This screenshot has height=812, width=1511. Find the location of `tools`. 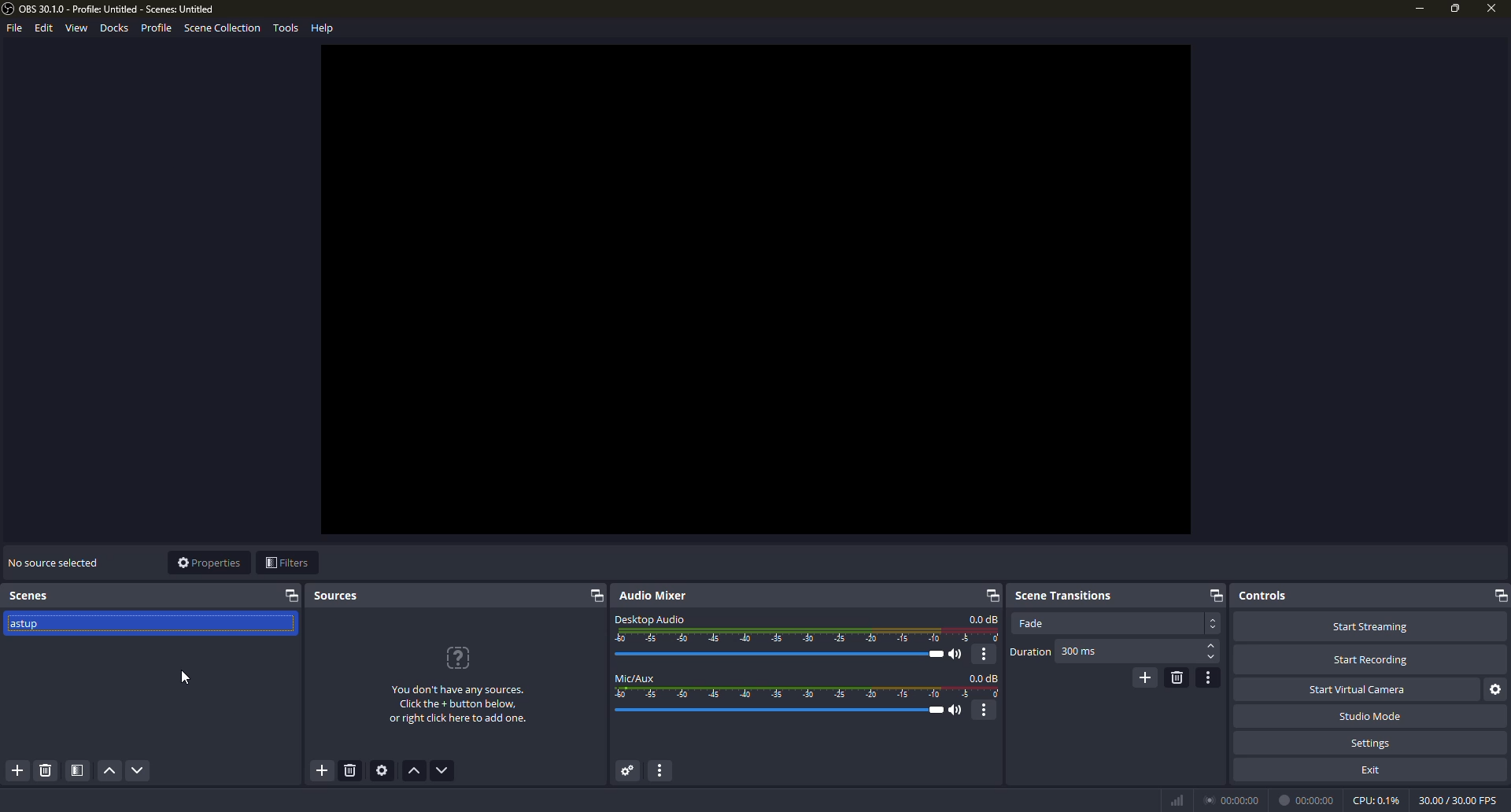

tools is located at coordinates (286, 29).